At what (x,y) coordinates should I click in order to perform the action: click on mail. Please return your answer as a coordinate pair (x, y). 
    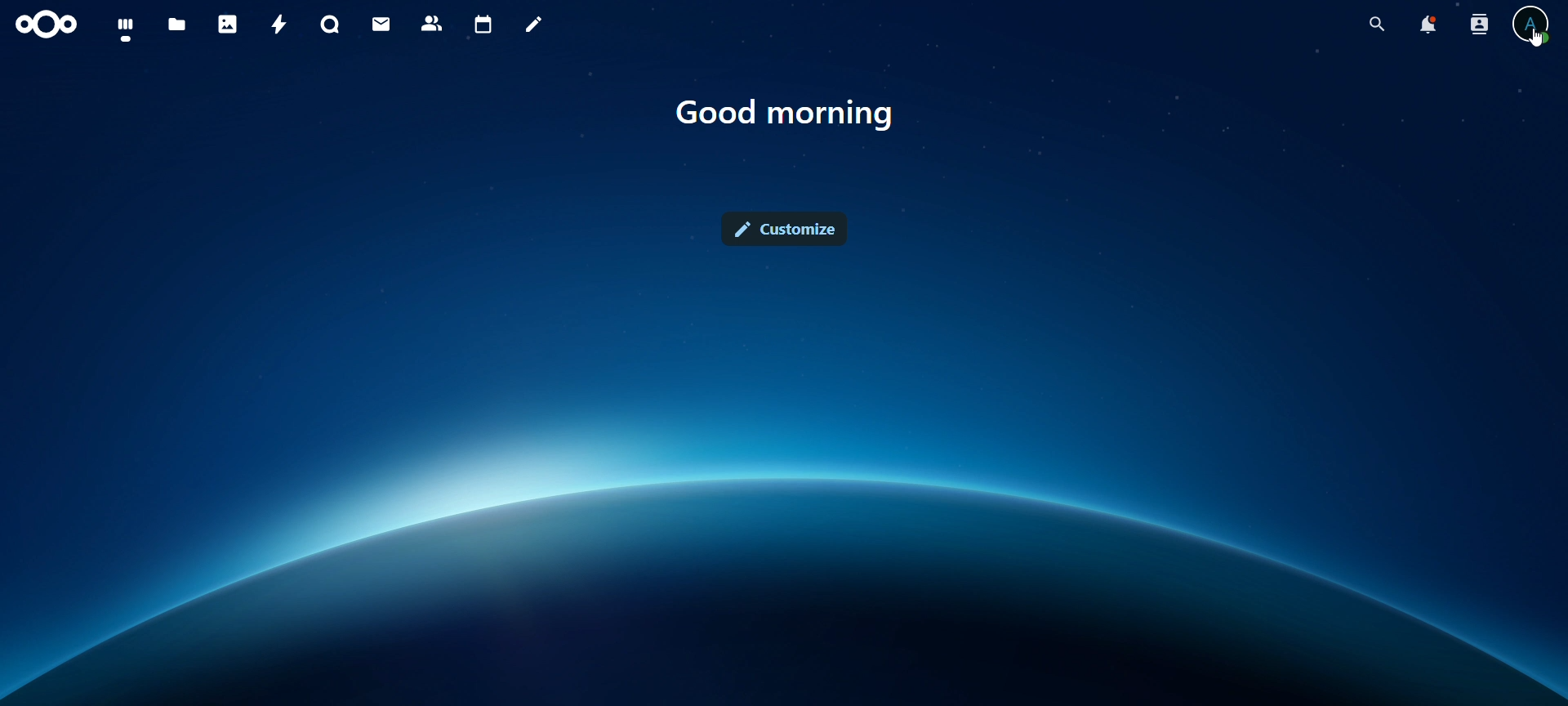
    Looking at the image, I should click on (383, 24).